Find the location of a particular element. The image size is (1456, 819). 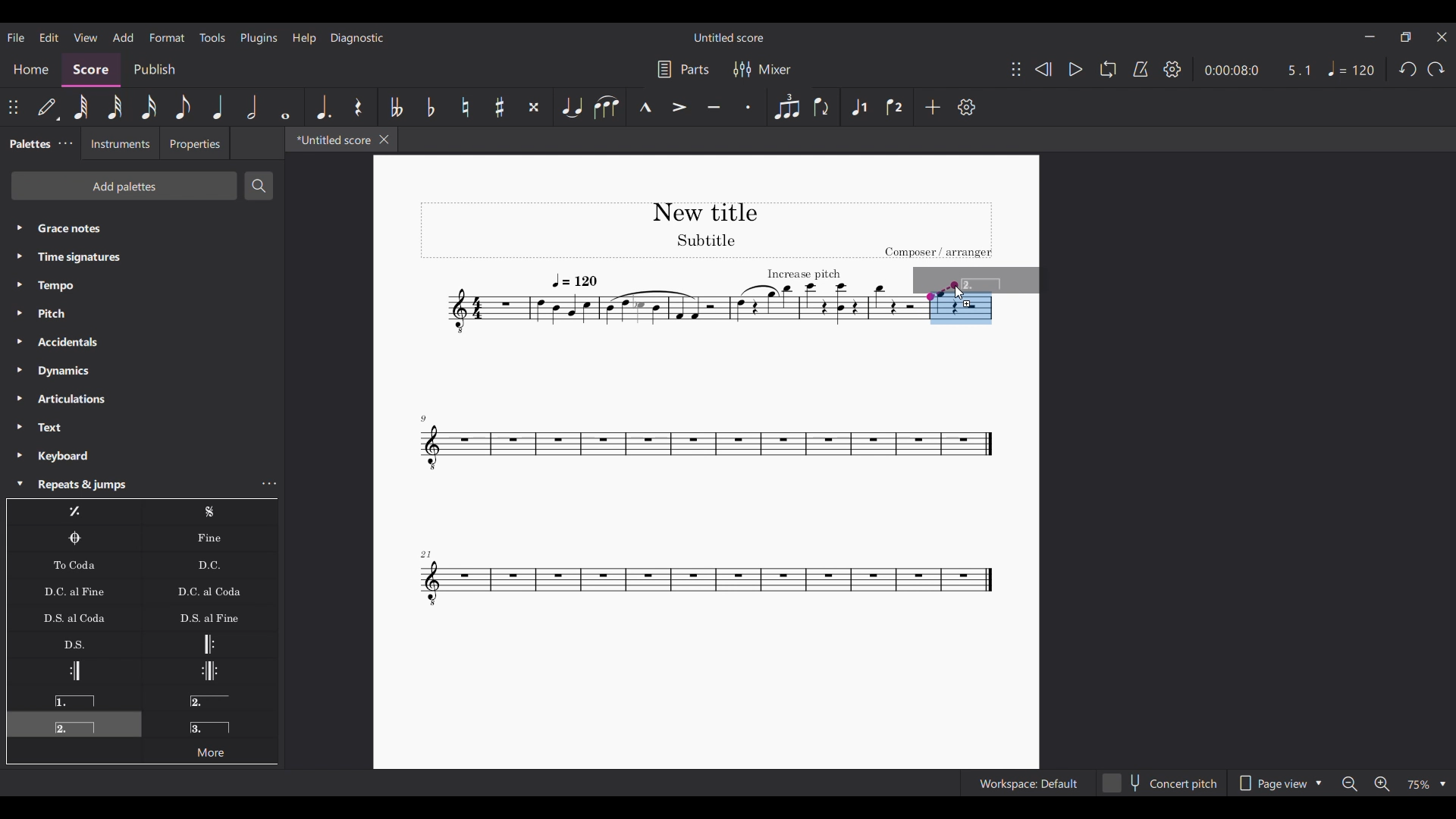

Coda is located at coordinates (74, 538).